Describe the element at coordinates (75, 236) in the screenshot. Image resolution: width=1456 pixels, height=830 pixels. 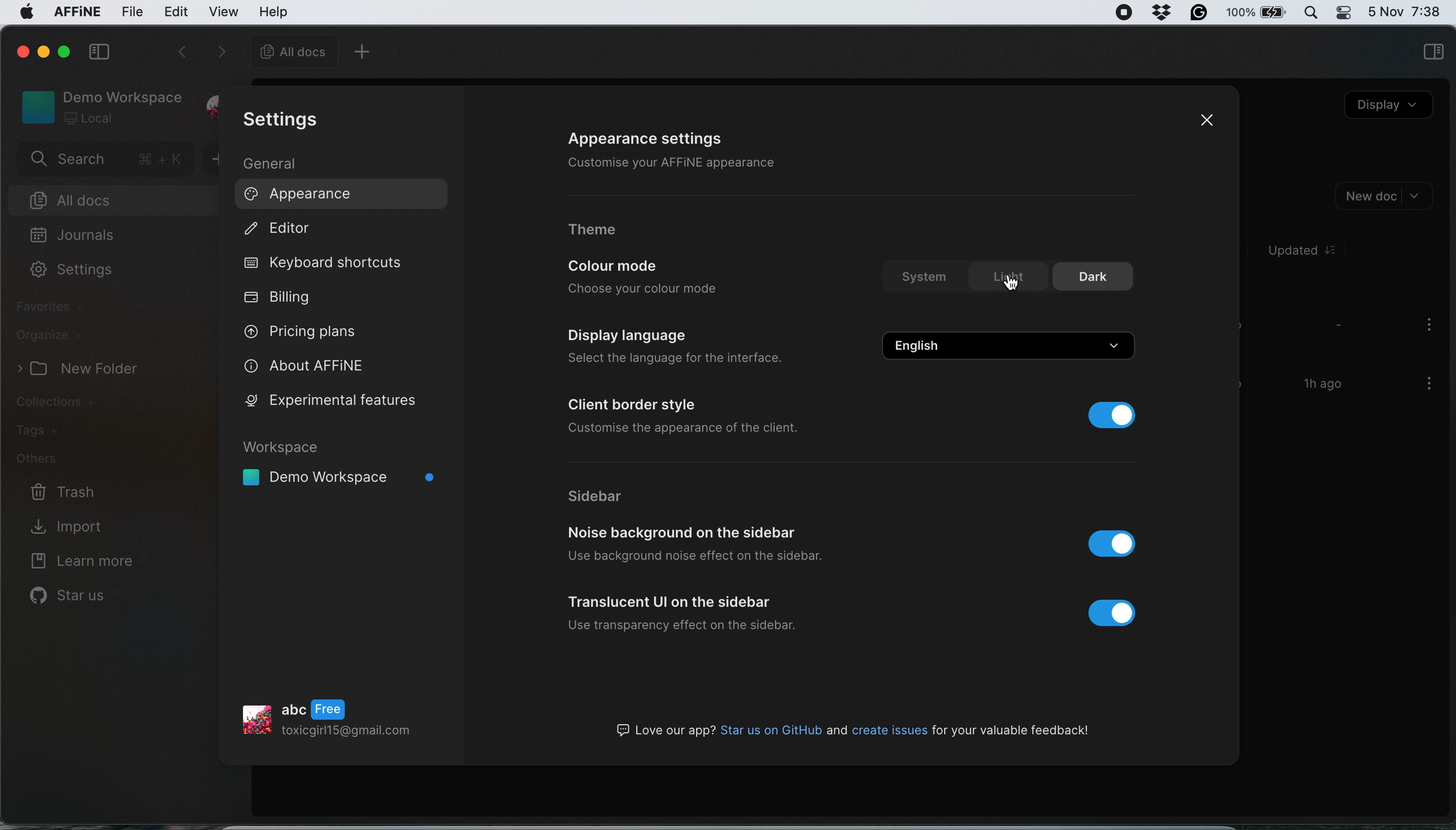
I see `journals` at that location.